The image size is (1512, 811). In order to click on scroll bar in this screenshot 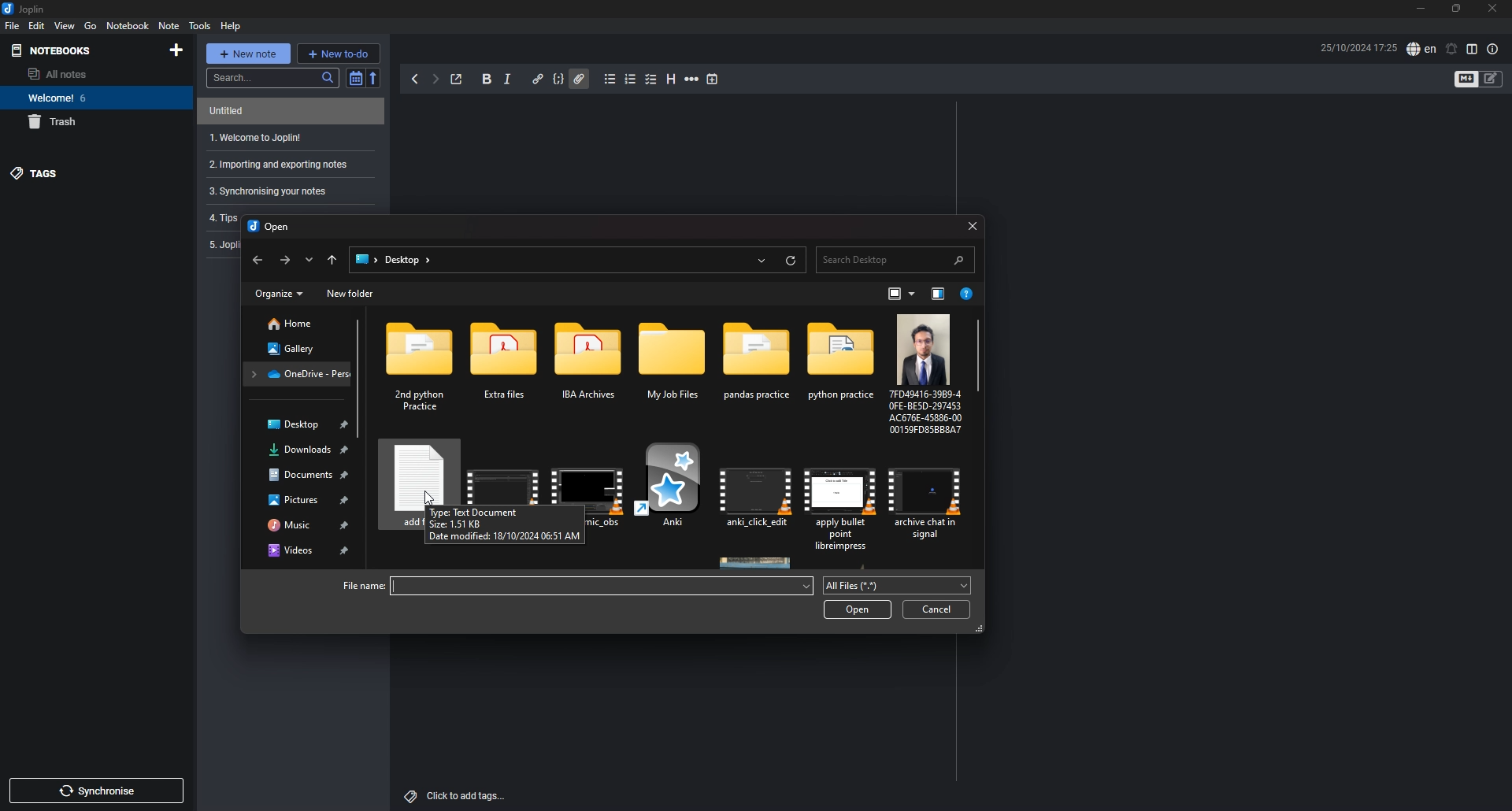, I will do `click(360, 379)`.